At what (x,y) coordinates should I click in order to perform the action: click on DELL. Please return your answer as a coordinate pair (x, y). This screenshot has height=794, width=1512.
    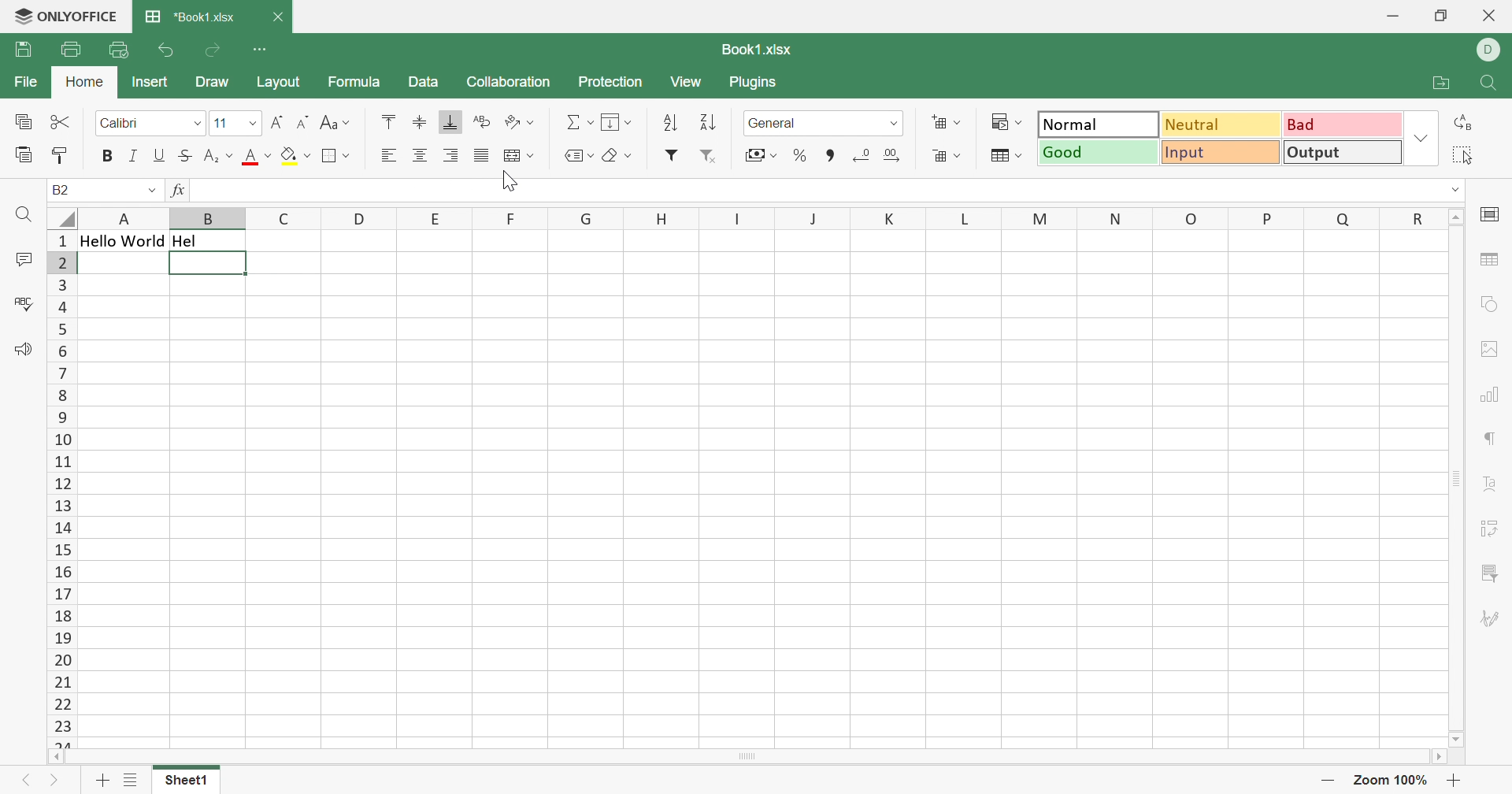
    Looking at the image, I should click on (1491, 50).